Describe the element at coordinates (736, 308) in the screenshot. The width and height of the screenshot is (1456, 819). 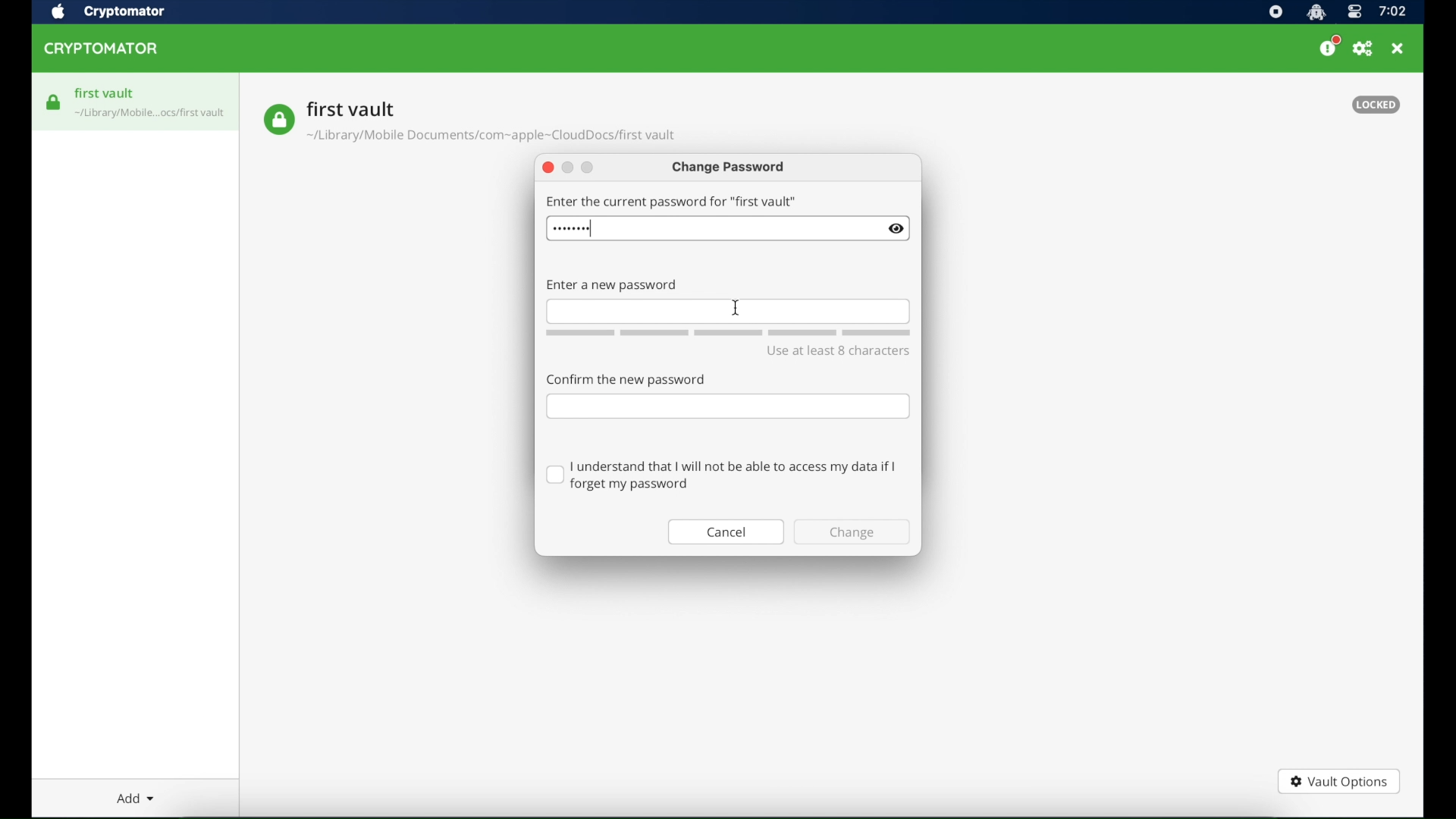
I see `cursor` at that location.